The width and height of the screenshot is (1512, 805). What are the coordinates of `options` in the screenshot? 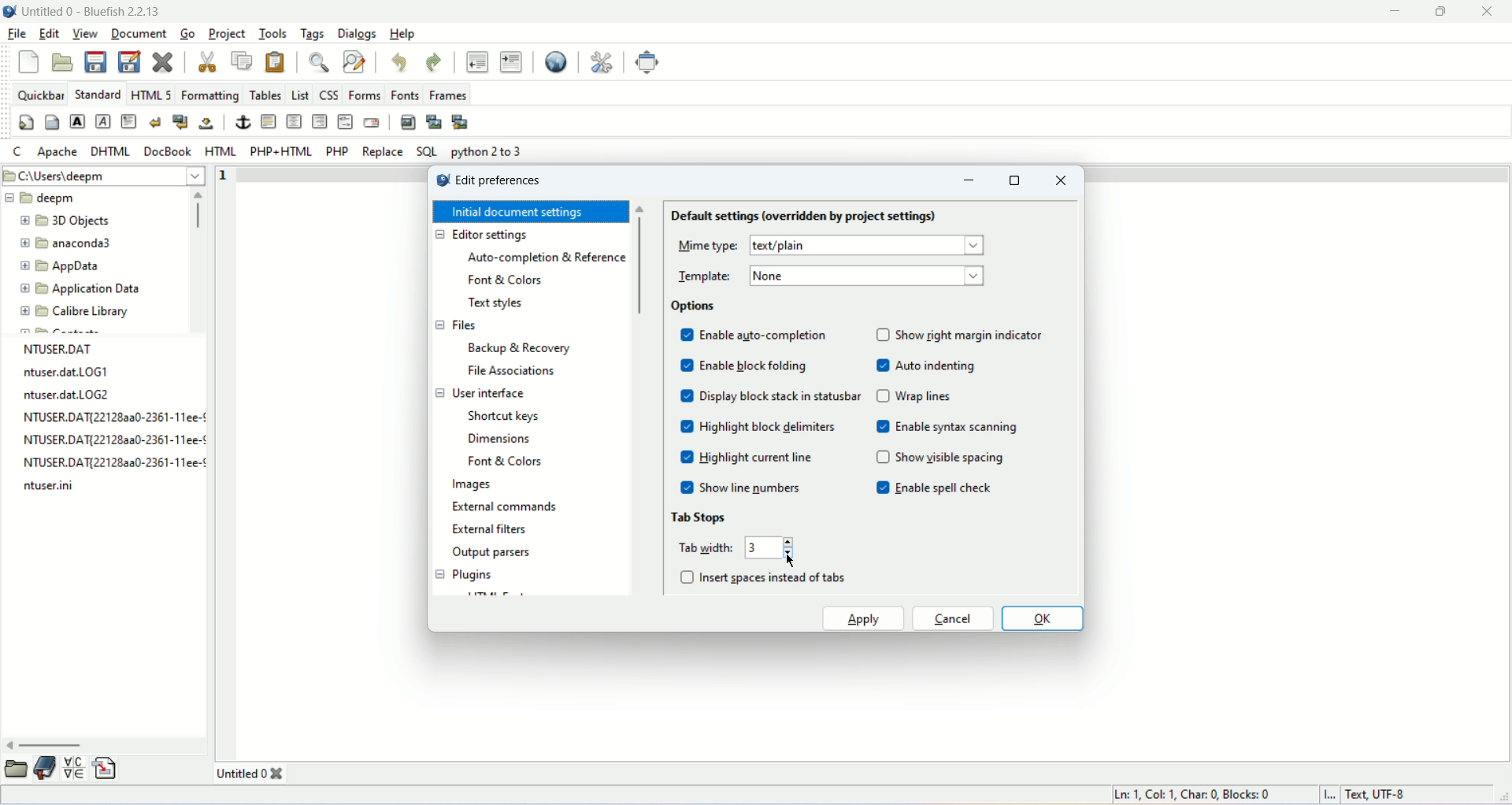 It's located at (697, 306).